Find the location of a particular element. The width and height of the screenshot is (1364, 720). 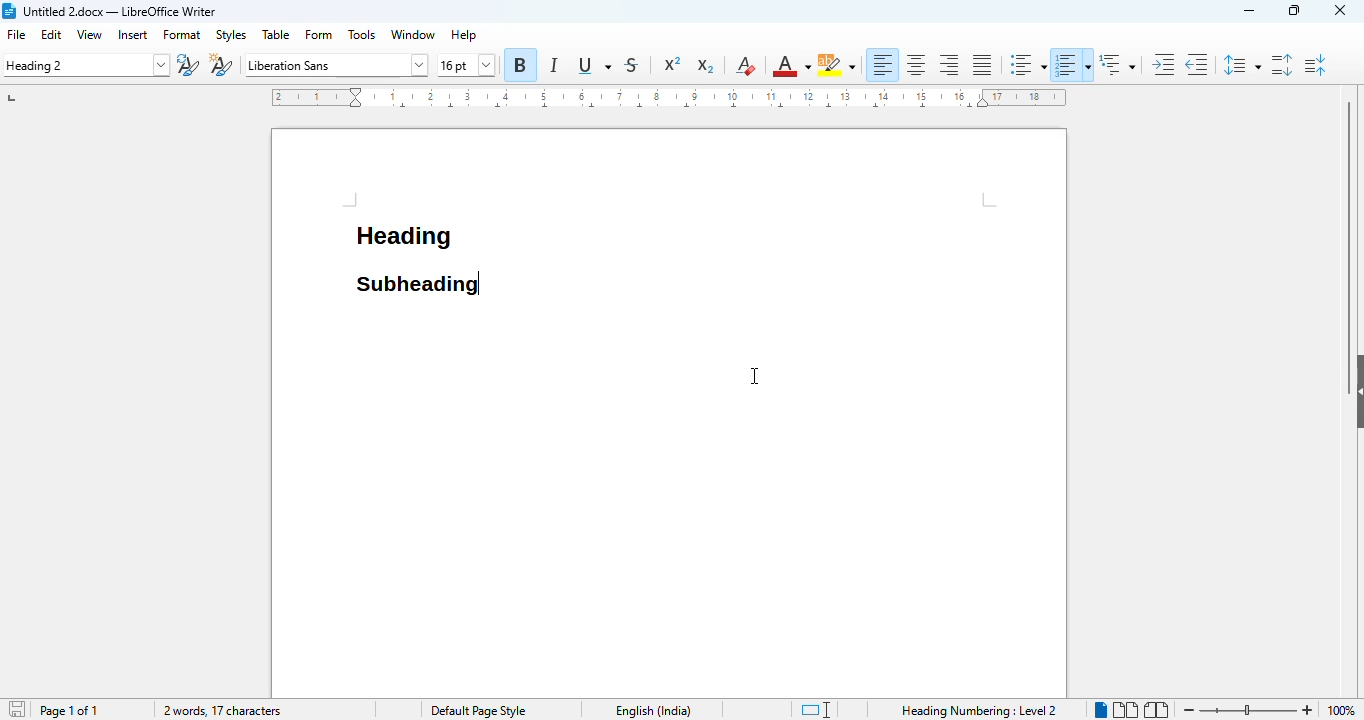

increase indent is located at coordinates (1164, 64).